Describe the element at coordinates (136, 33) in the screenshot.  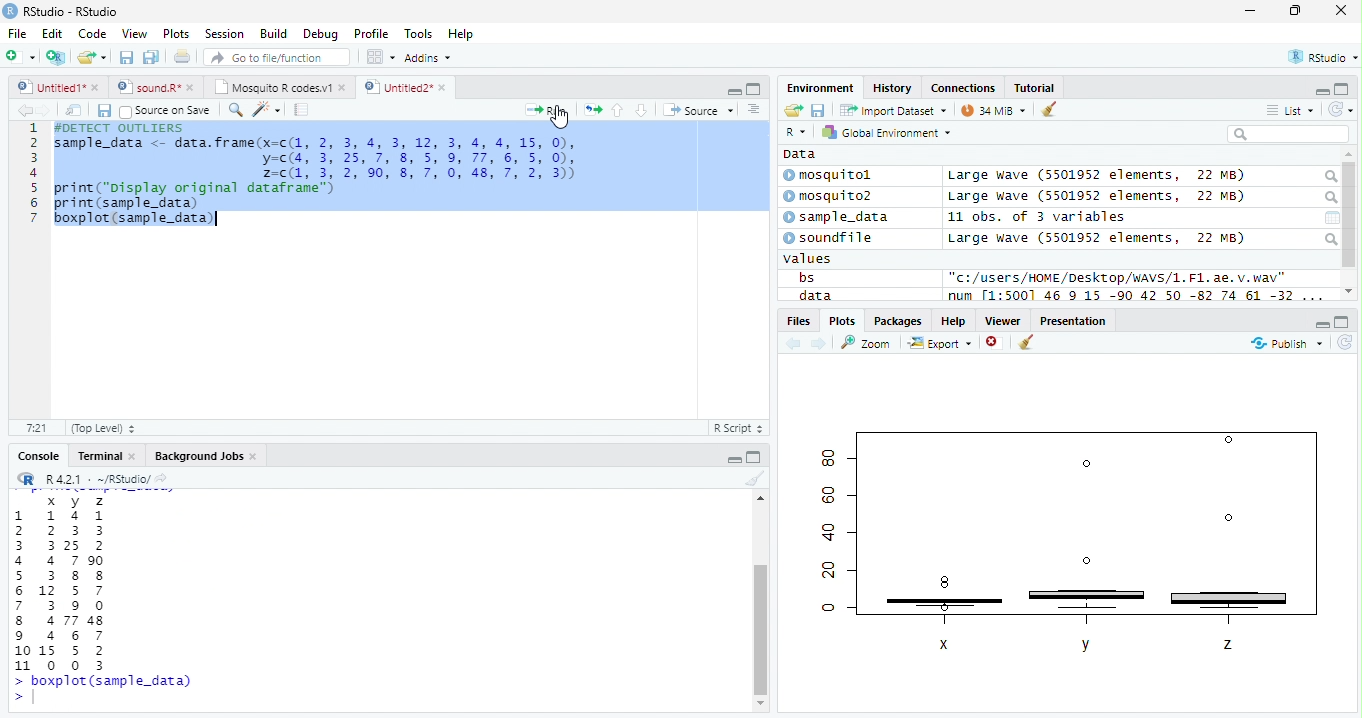
I see `View` at that location.